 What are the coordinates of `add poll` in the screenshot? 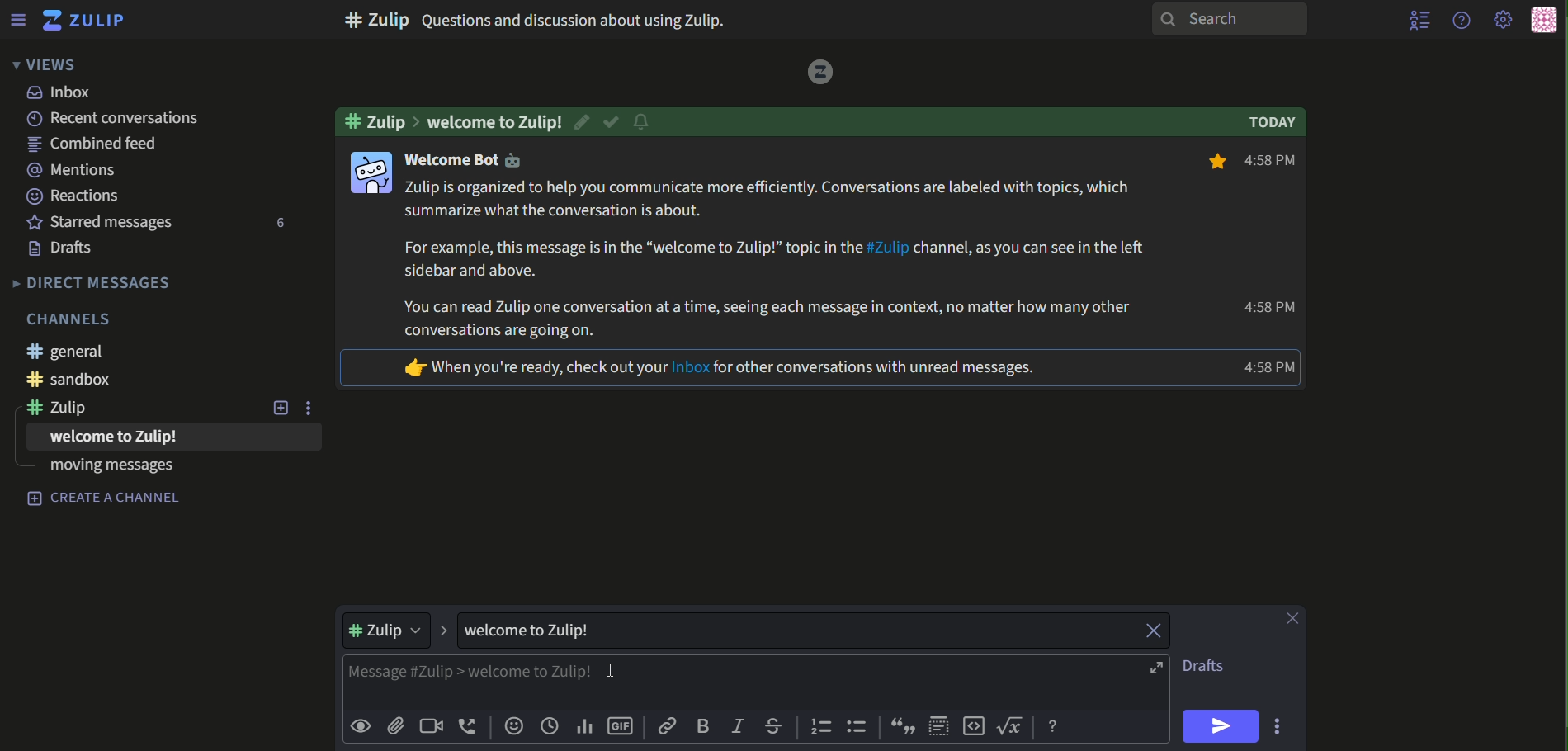 It's located at (584, 727).